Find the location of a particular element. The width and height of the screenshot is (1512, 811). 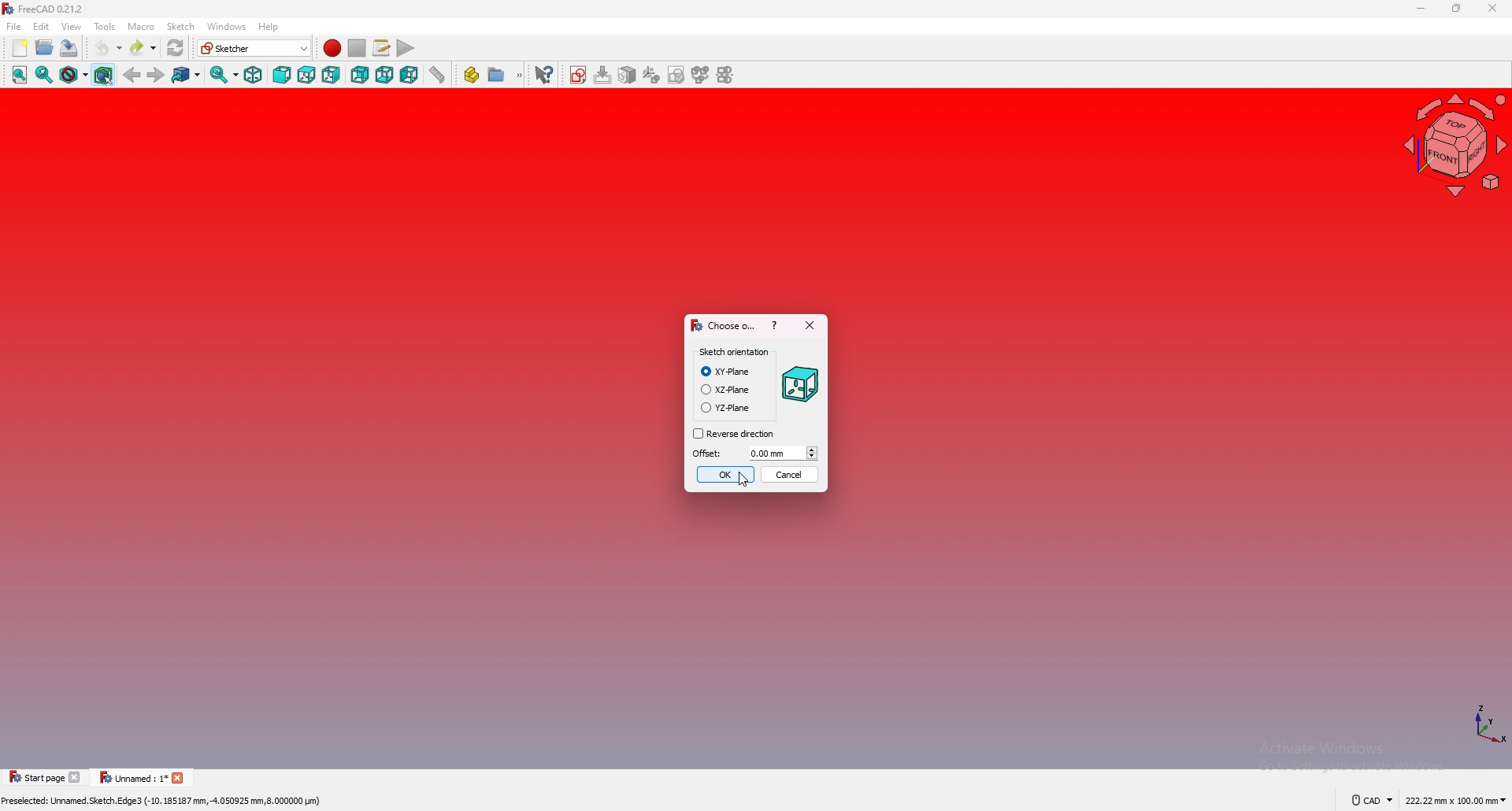

offset value is located at coordinates (784, 452).